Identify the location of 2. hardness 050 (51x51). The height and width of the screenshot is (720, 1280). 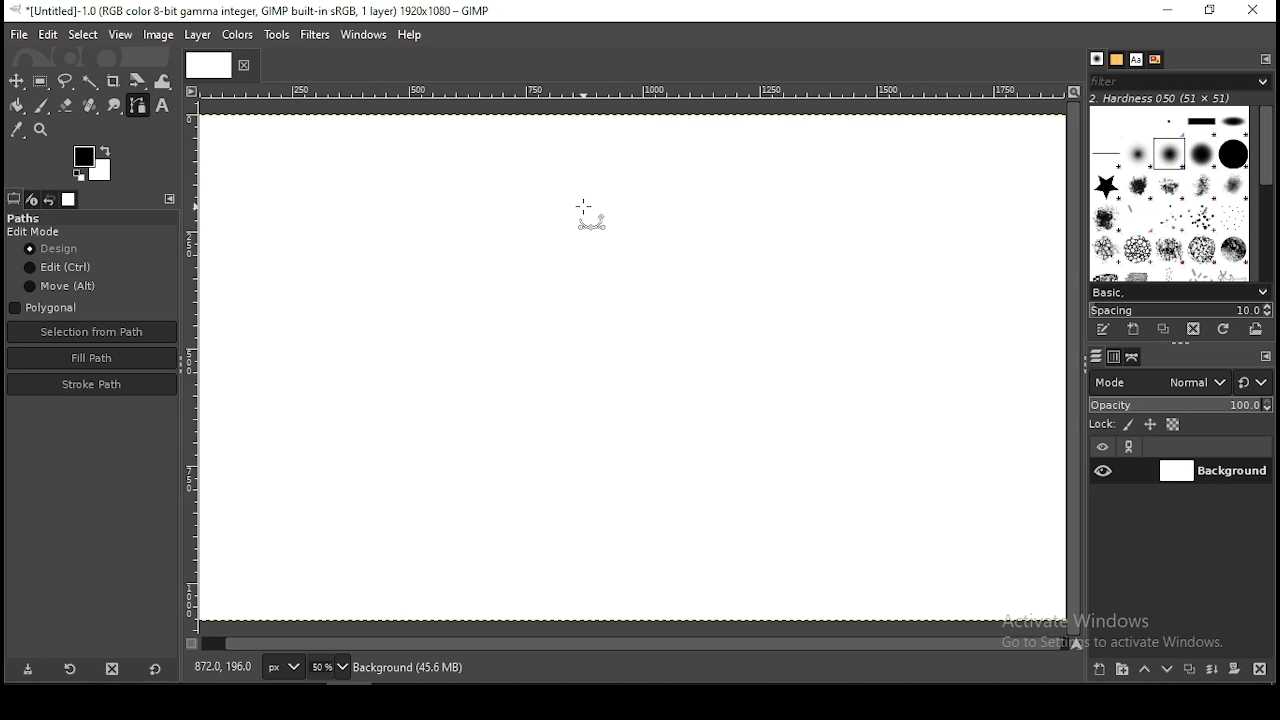
(1170, 99).